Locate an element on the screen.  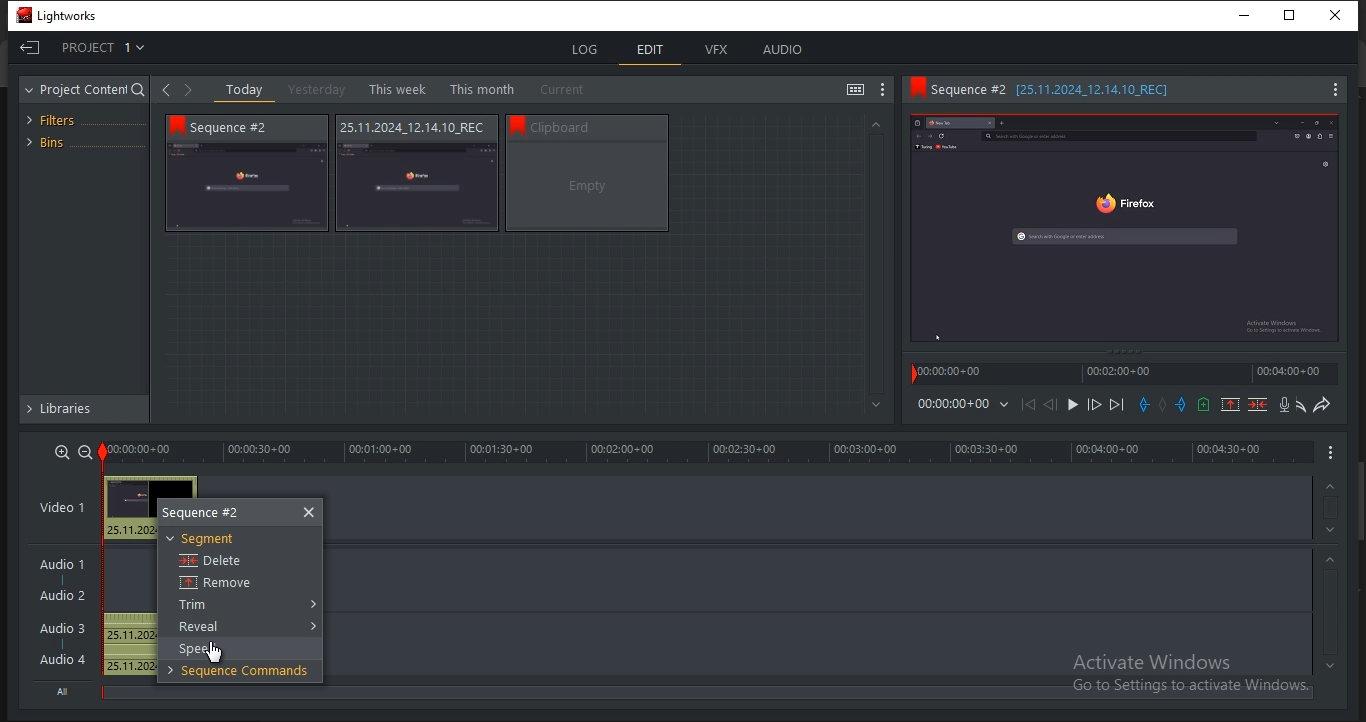
undo is located at coordinates (1298, 405).